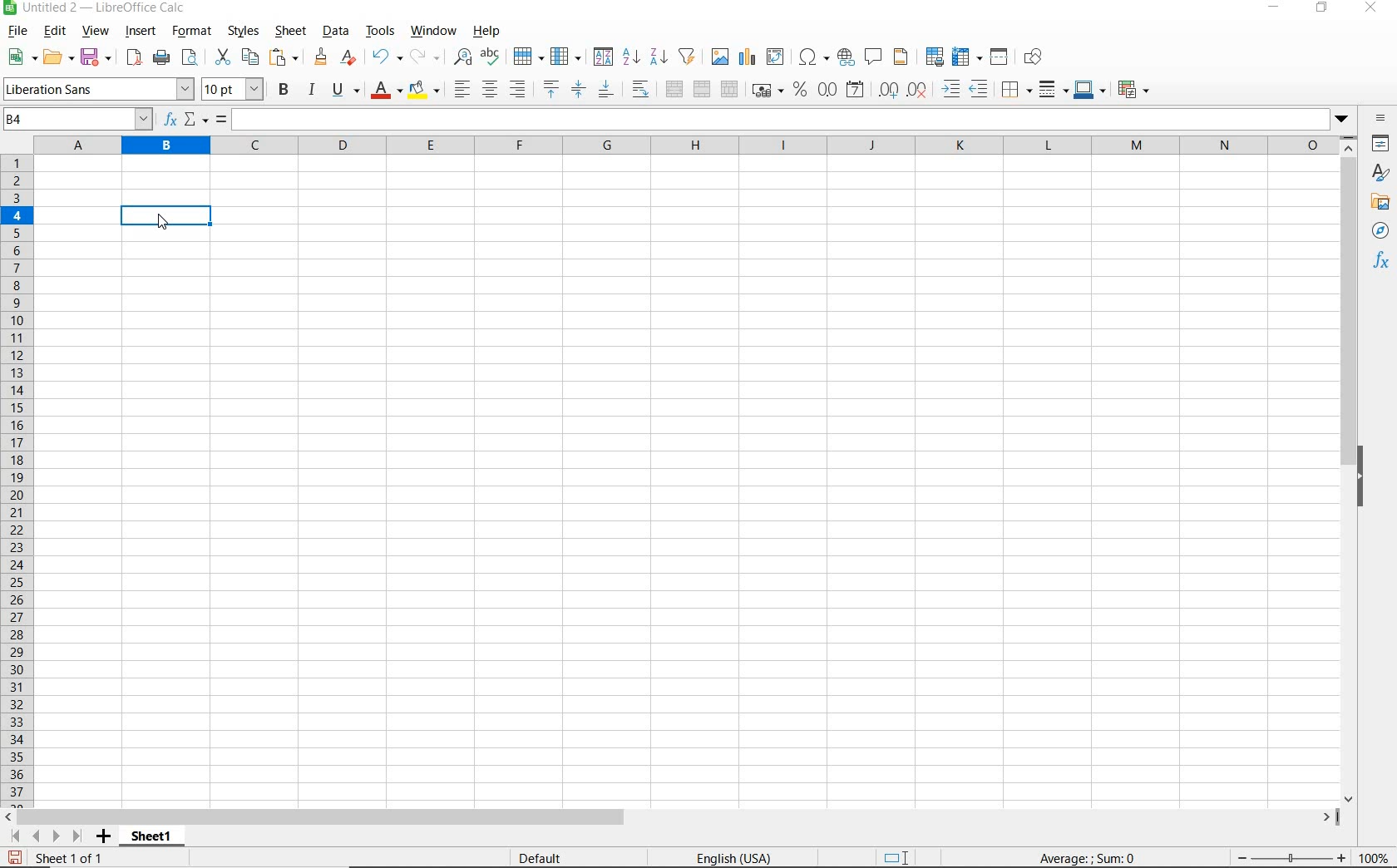  I want to click on default, so click(545, 857).